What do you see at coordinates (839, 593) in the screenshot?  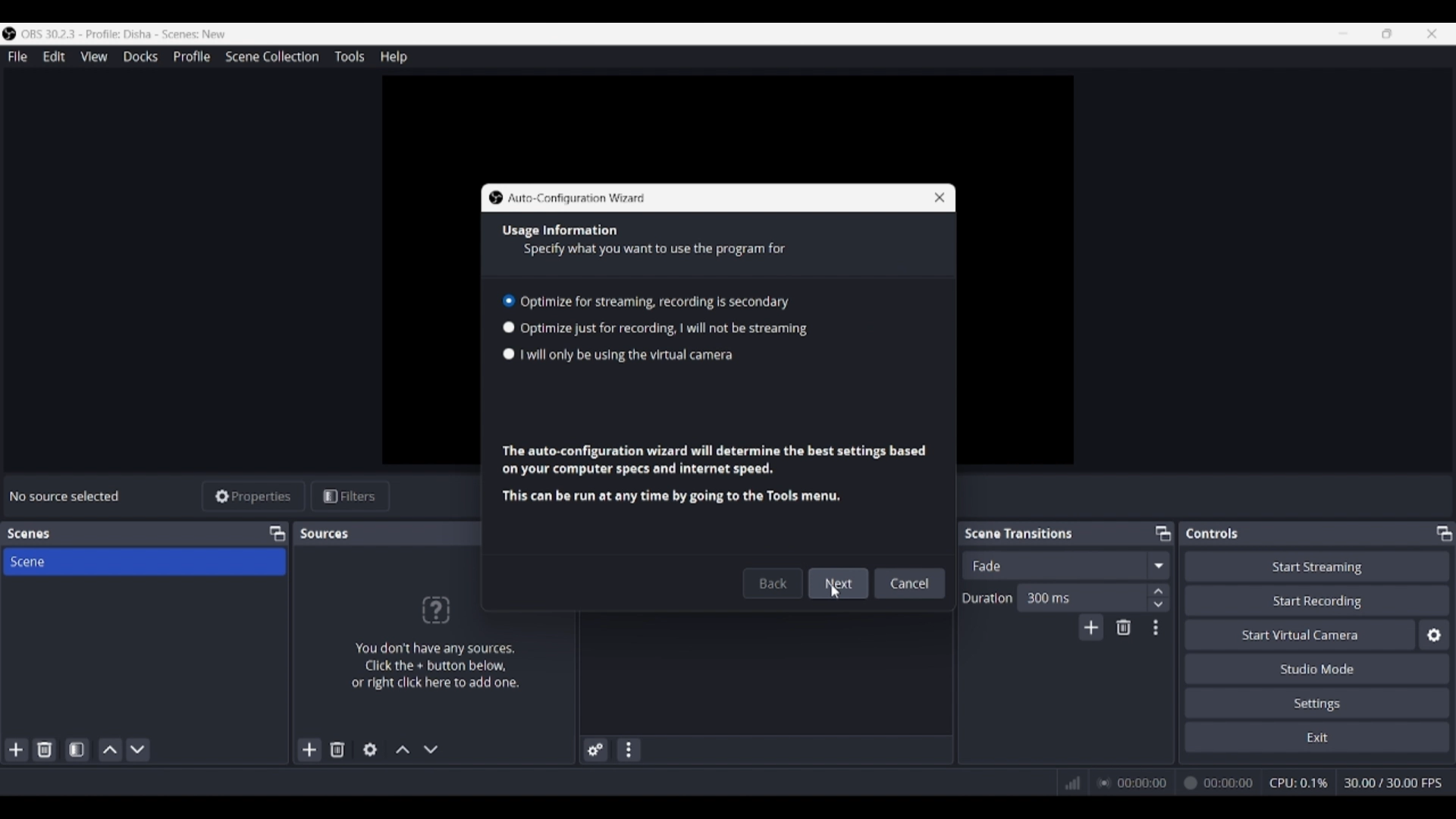 I see `Cursor` at bounding box center [839, 593].